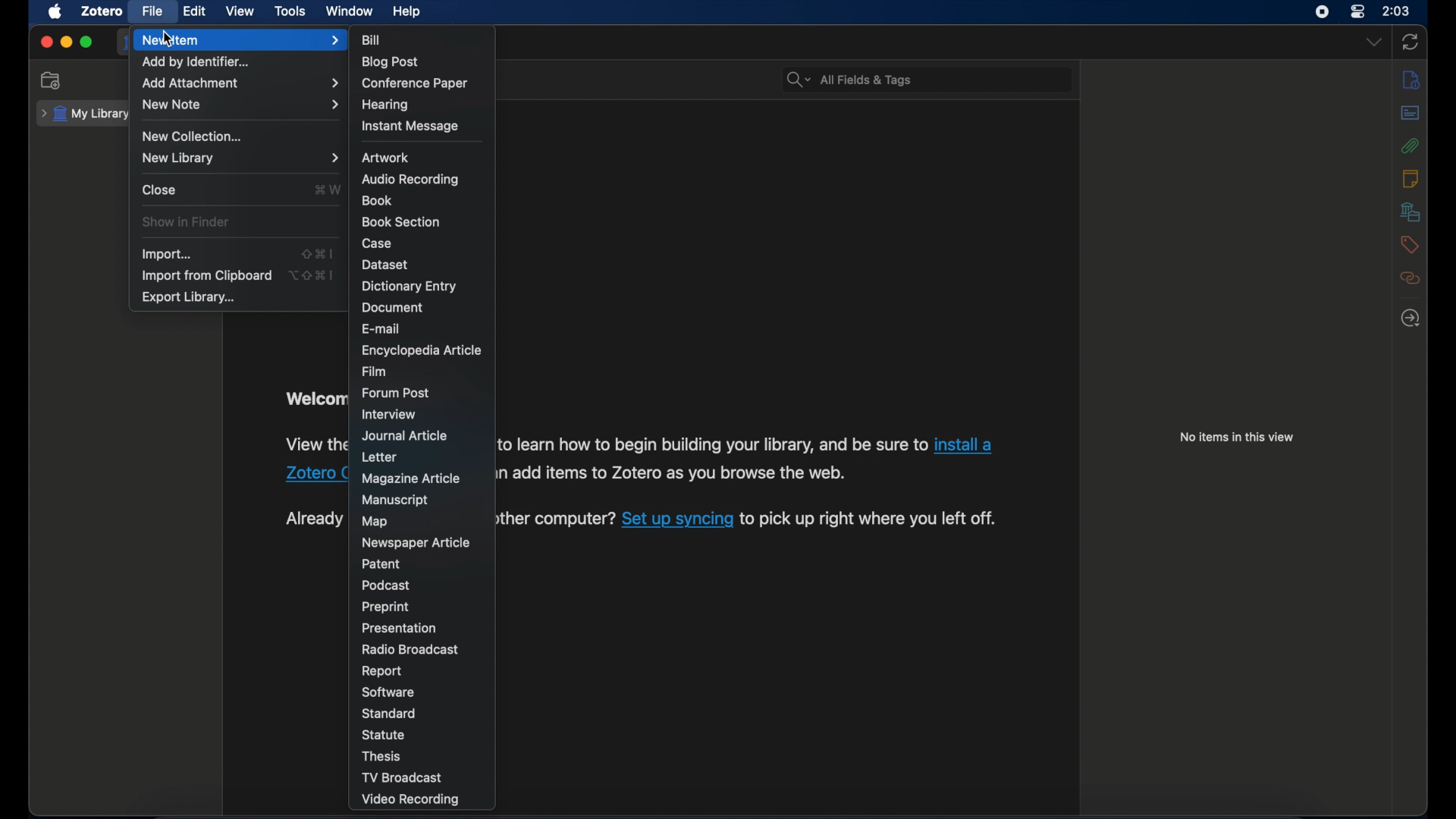 This screenshot has width=1456, height=819. I want to click on presentation, so click(399, 627).